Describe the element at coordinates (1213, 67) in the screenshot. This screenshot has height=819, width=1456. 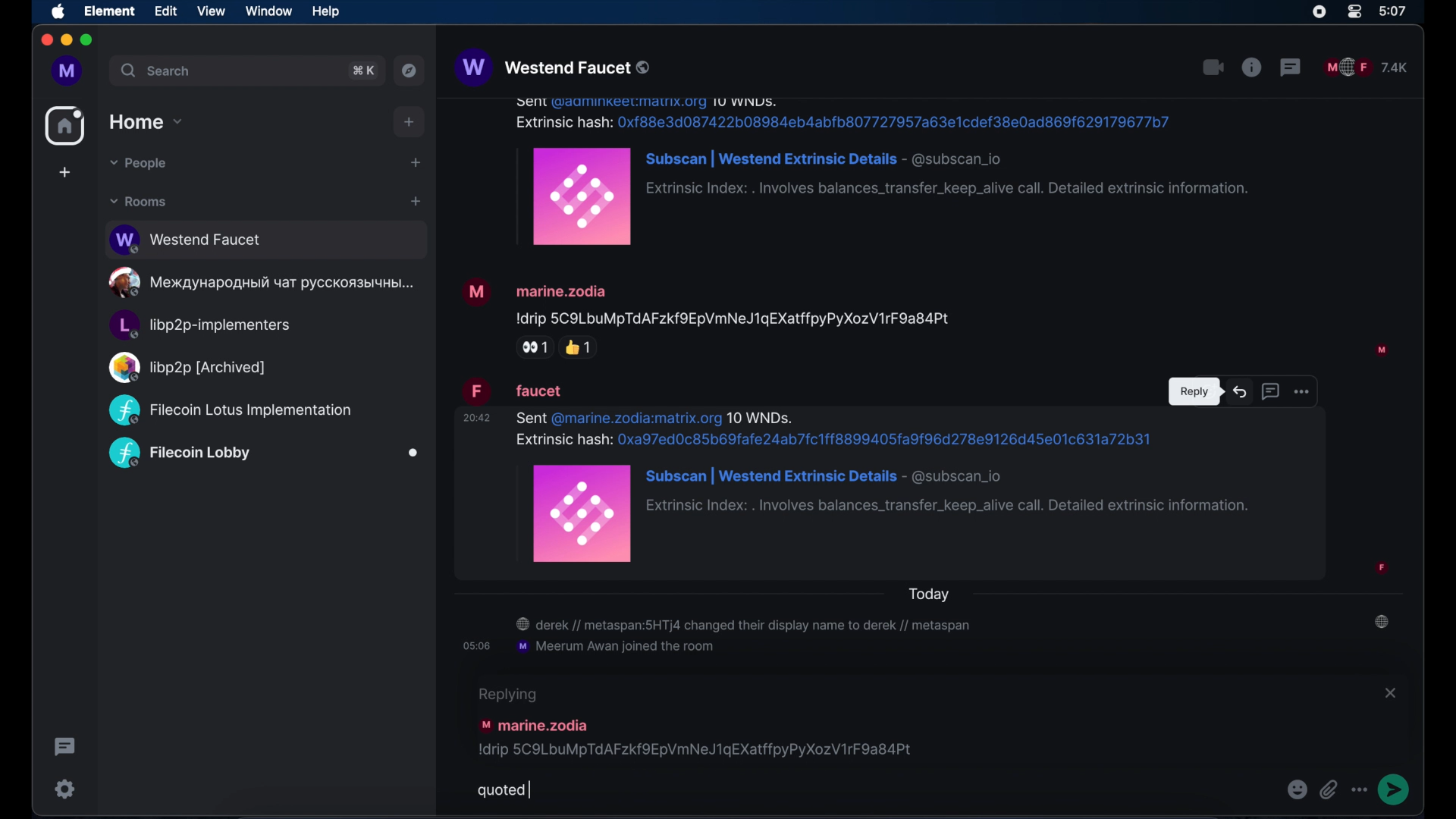
I see `video call` at that location.